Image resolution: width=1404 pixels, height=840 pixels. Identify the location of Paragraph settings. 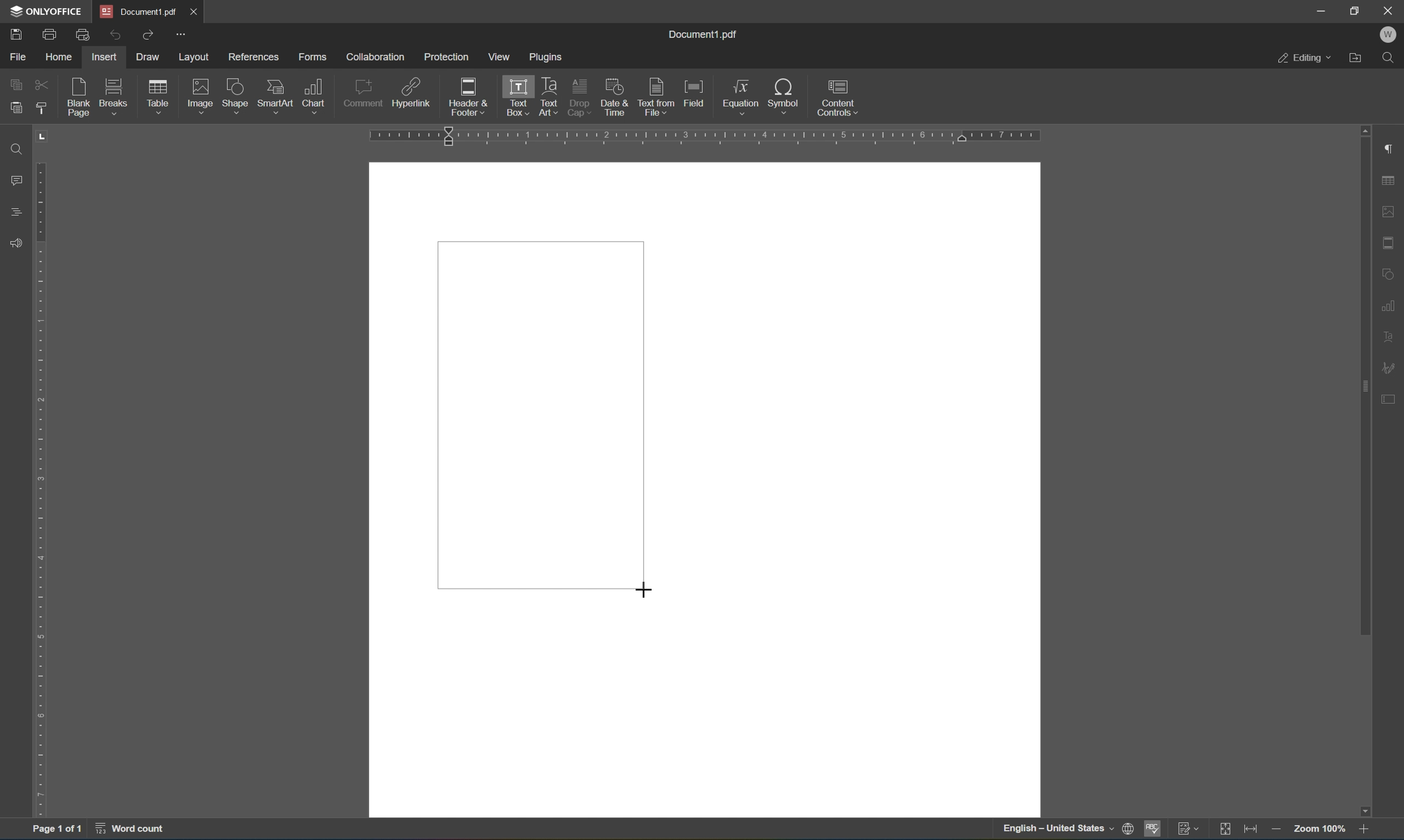
(1392, 147).